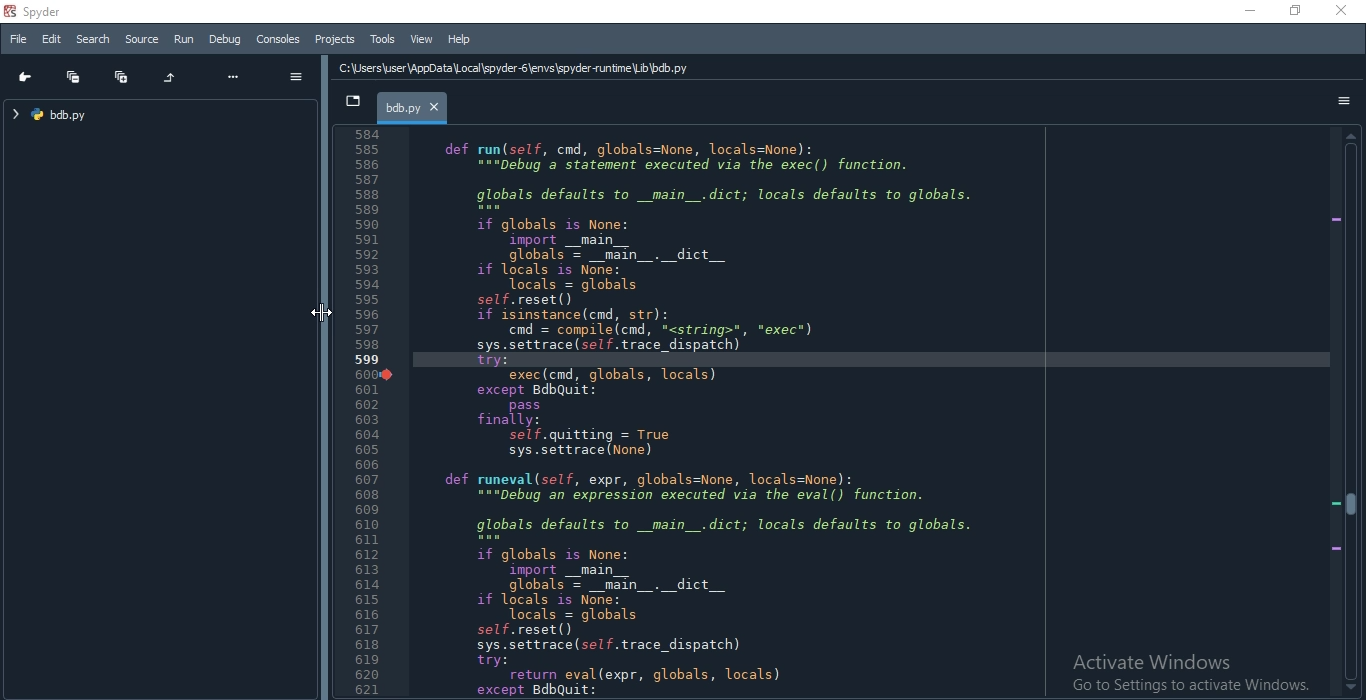 This screenshot has width=1366, height=700. Describe the element at coordinates (718, 417) in the screenshot. I see `def run(self, cnd, globals=None, locals=None):
“="pebug’a statement executed via the exec() function.
globals defaults to _main_.dict; locals defaults to globals.
if globals is None:
import __main__
globals = _main_._dict__
if locals is None:
Tocals = globals
self.reset()
if isinstance(cnd, str):
cnd = compile(cnd, <string>", *exec*)
sys.settrace (sel. trace_dispatch)
try:
exec(cnd, globals, locals)
except BdbQuit:
pass
finally:
self.quitting = True
sys.settrace (None)
def runeval(self, expr, globals=None, locals=None):
“="Debug an expression executed via the eval() function.
globals defaults to _main_.dict; locals defaults to globals.
if globals is None:
import _main__
globals = _main_._dict__
if locals is None:
Tocals = globals
self.reset()
sys.settrace (sel. trace_dispatch)
try:
return eval(expr, globals, locals)
except BdbQuit:` at that location.